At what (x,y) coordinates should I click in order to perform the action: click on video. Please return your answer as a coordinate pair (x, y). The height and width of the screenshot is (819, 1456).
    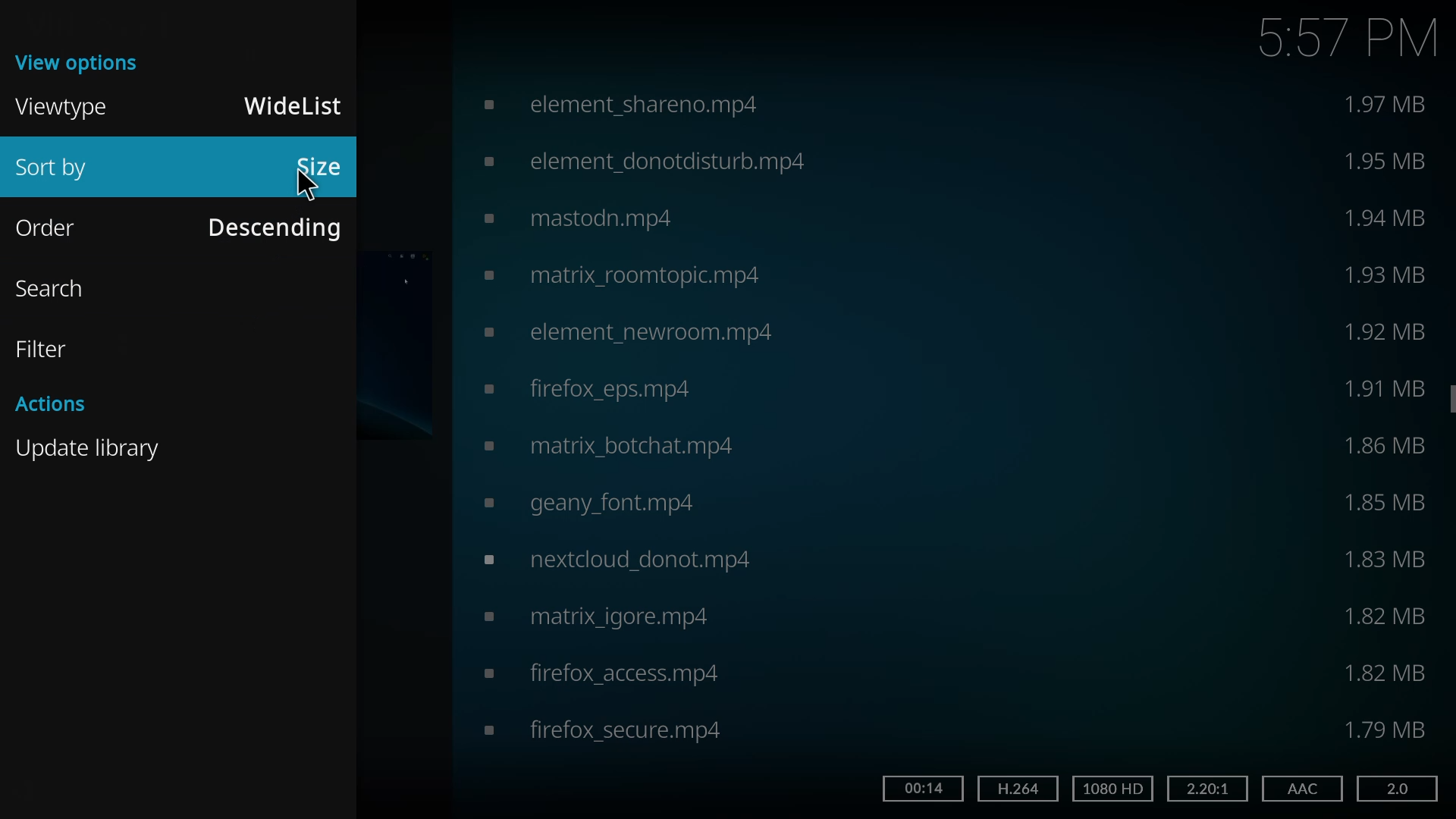
    Looking at the image, I should click on (648, 160).